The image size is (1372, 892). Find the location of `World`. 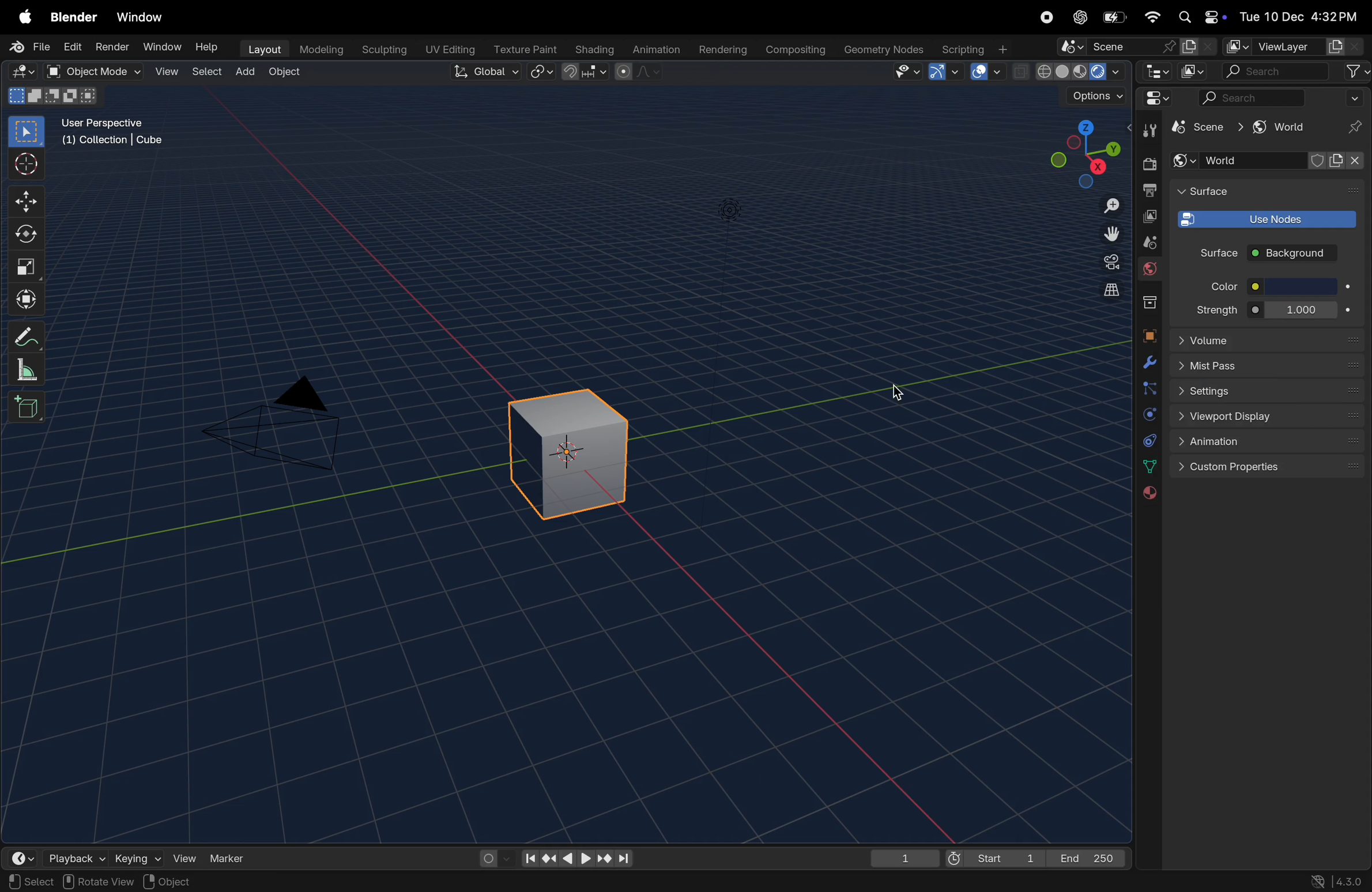

World is located at coordinates (1149, 271).